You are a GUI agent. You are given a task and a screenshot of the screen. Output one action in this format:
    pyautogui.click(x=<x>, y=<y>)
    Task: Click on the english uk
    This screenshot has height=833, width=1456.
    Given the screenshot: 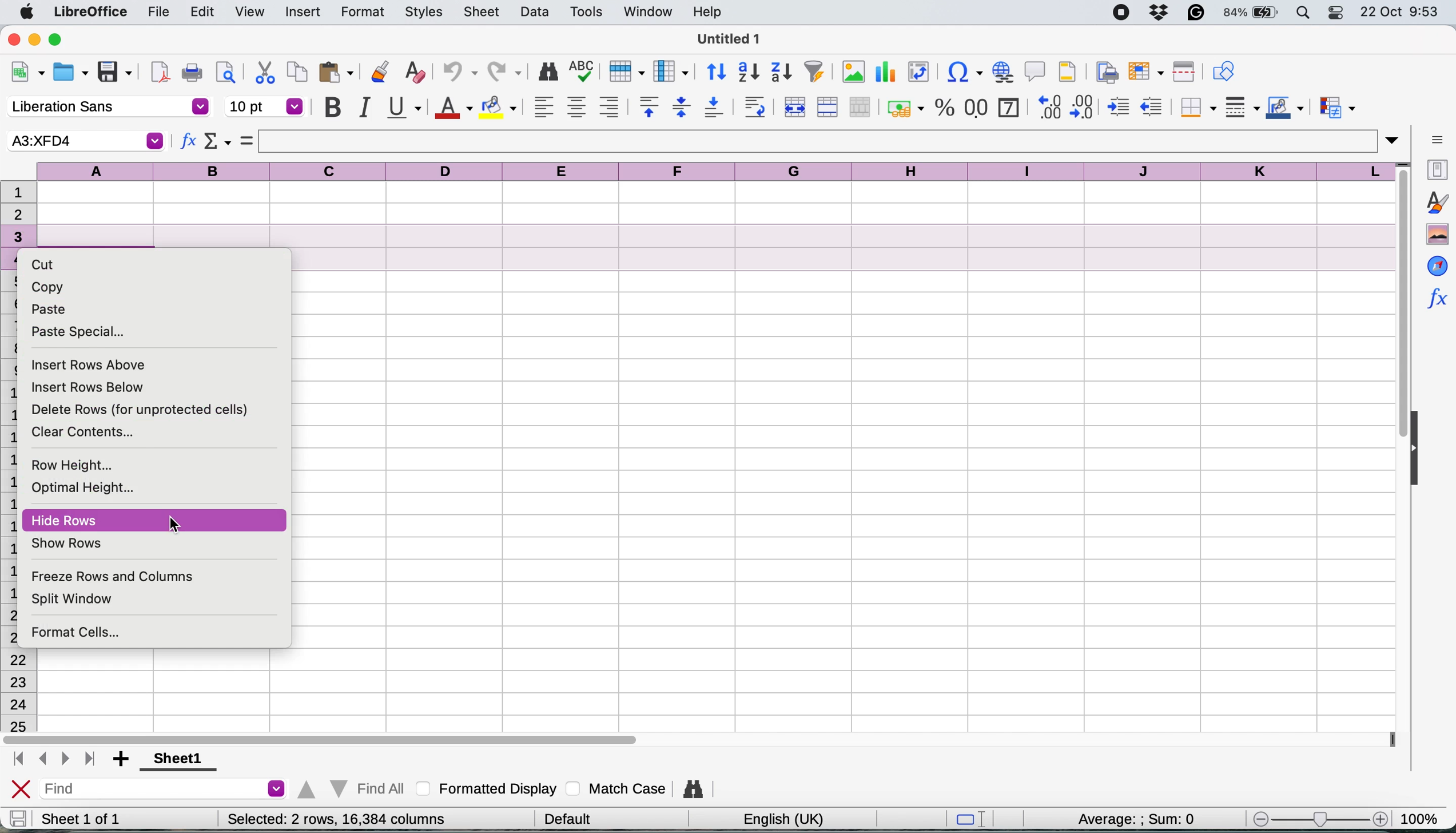 What is the action you would take?
    pyautogui.click(x=783, y=819)
    